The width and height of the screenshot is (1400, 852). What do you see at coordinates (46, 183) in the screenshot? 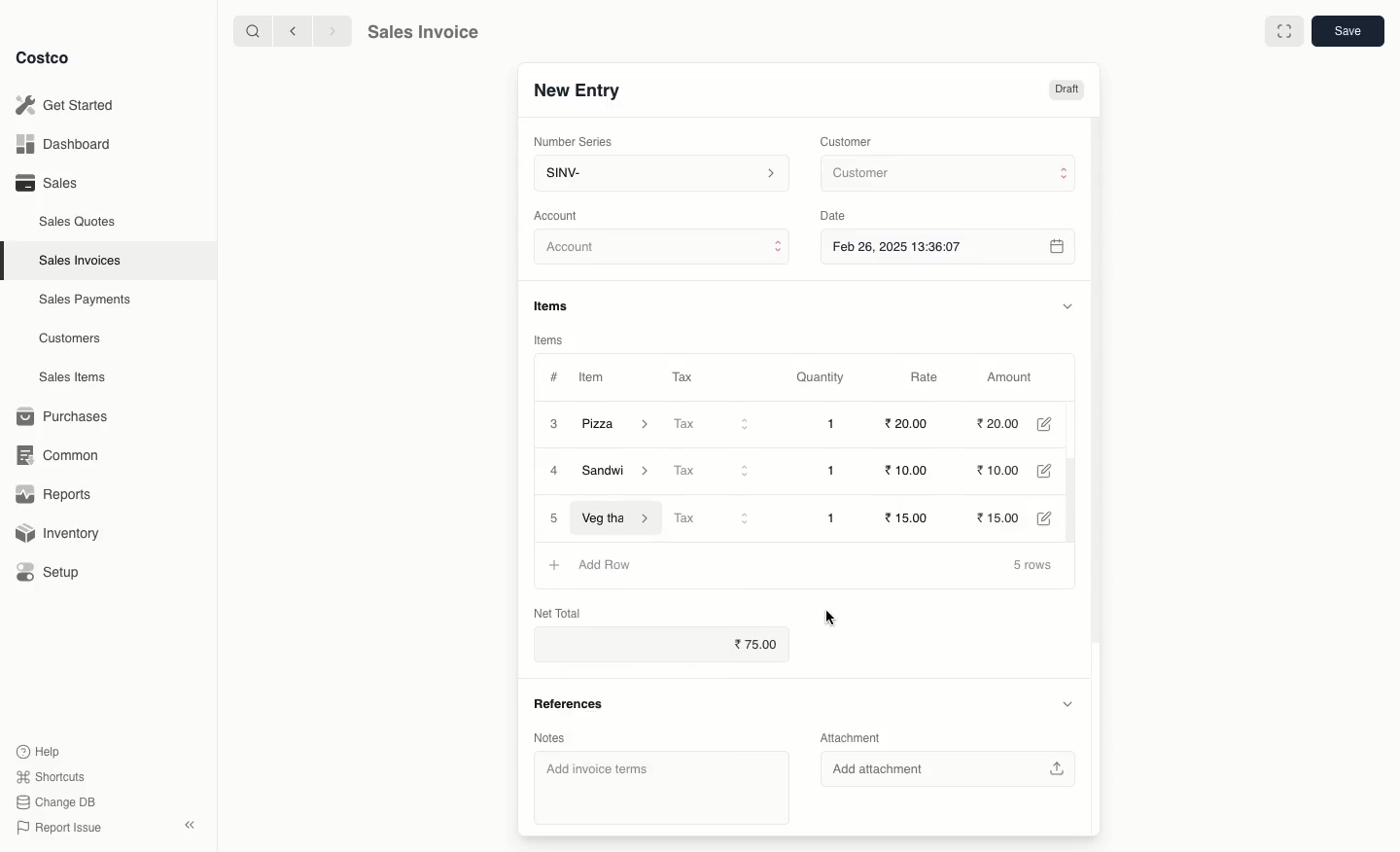
I see `Sales` at bounding box center [46, 183].